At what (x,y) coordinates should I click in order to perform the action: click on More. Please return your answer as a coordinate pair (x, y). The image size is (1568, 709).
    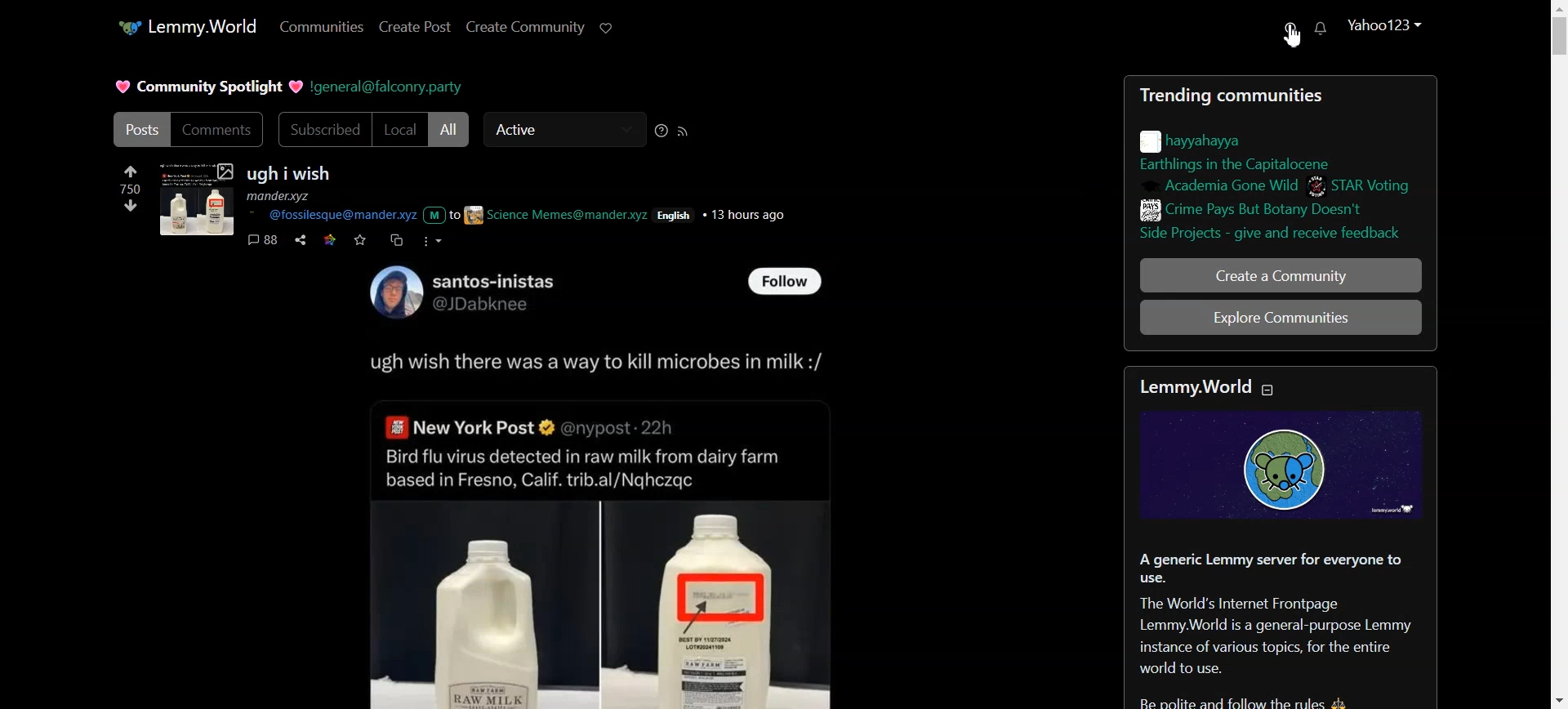
    Looking at the image, I should click on (431, 241).